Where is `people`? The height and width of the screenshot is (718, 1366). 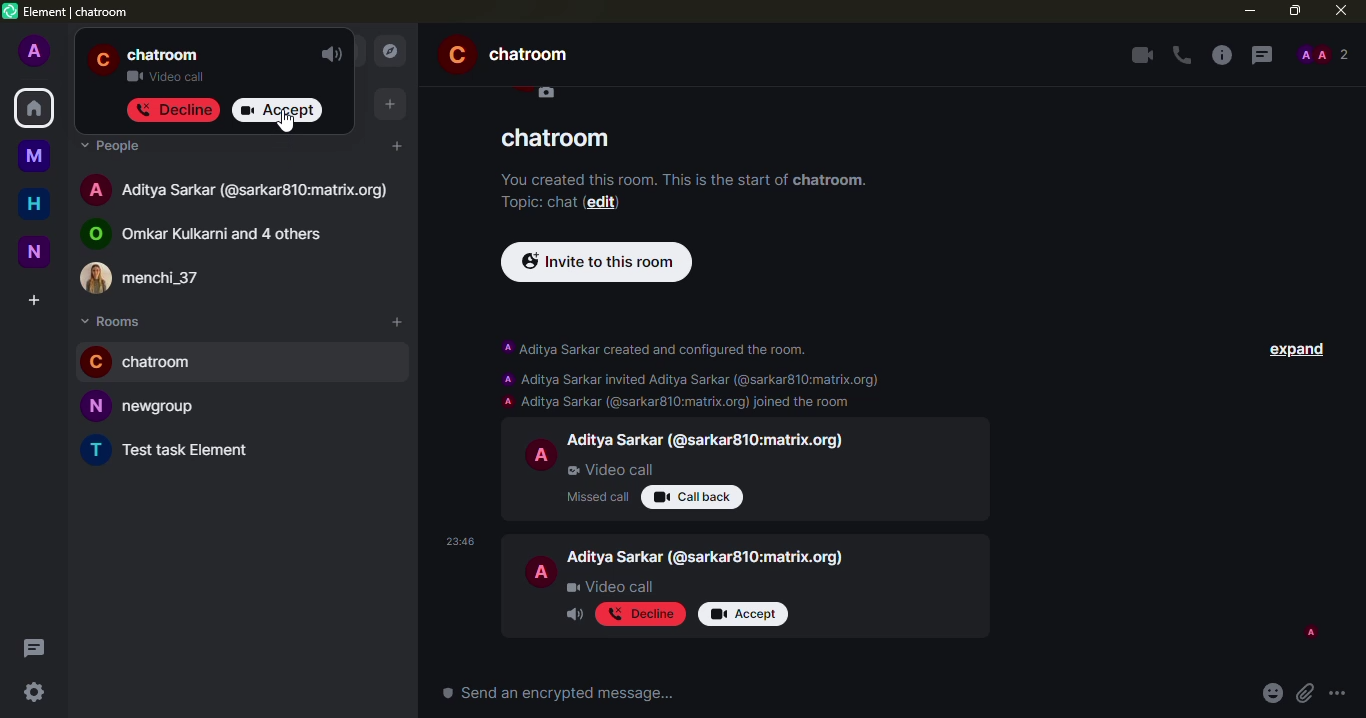 people is located at coordinates (115, 148).